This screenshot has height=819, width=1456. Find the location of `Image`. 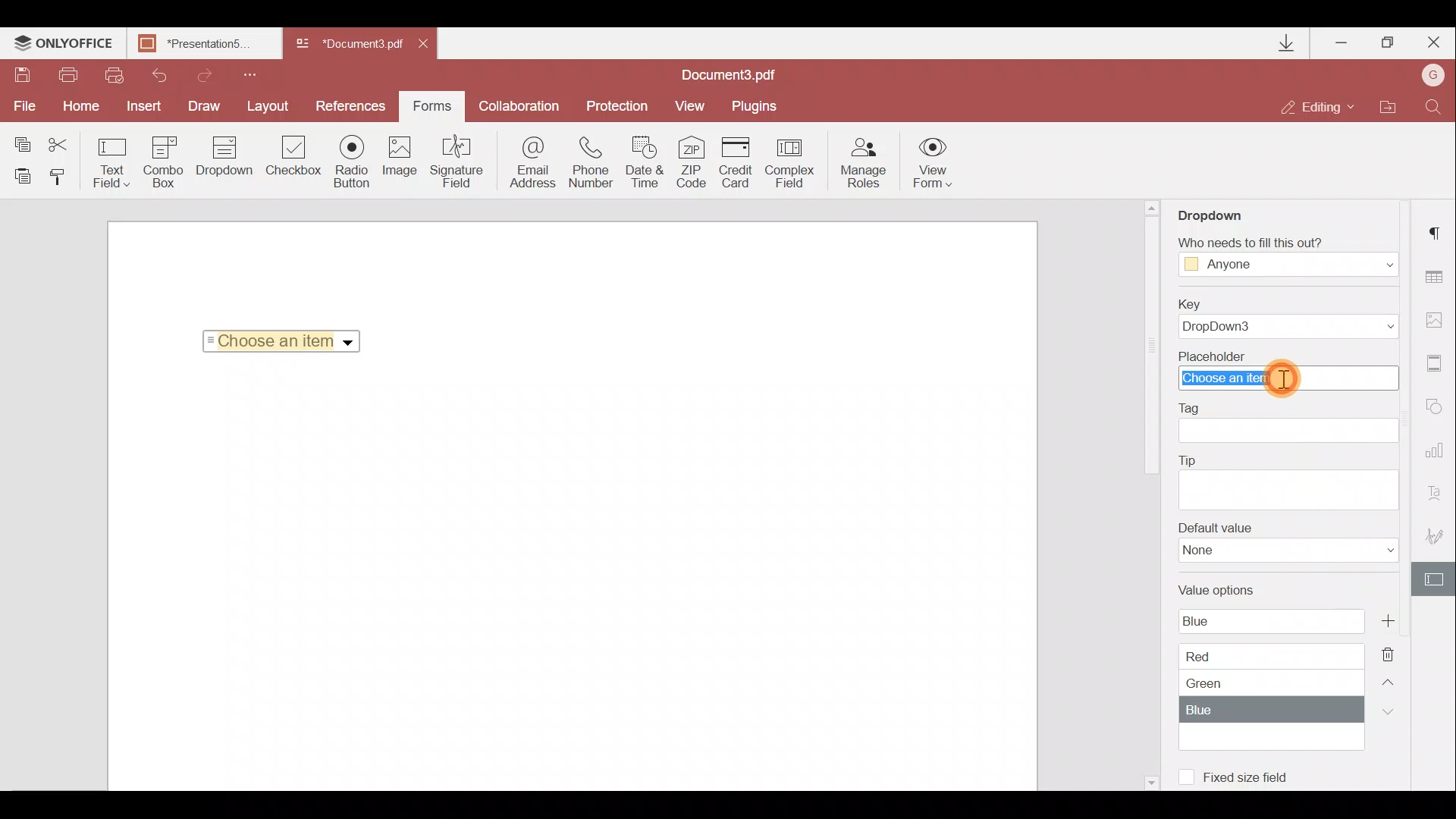

Image is located at coordinates (403, 161).